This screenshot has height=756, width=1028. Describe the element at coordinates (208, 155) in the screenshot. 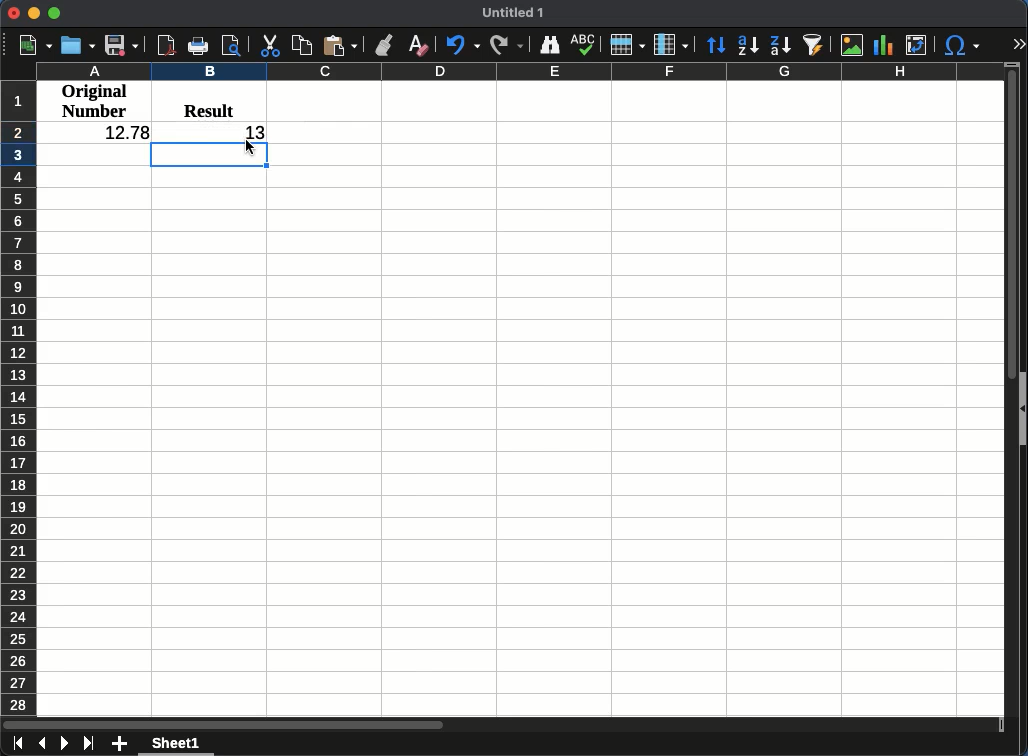

I see `active cell` at that location.